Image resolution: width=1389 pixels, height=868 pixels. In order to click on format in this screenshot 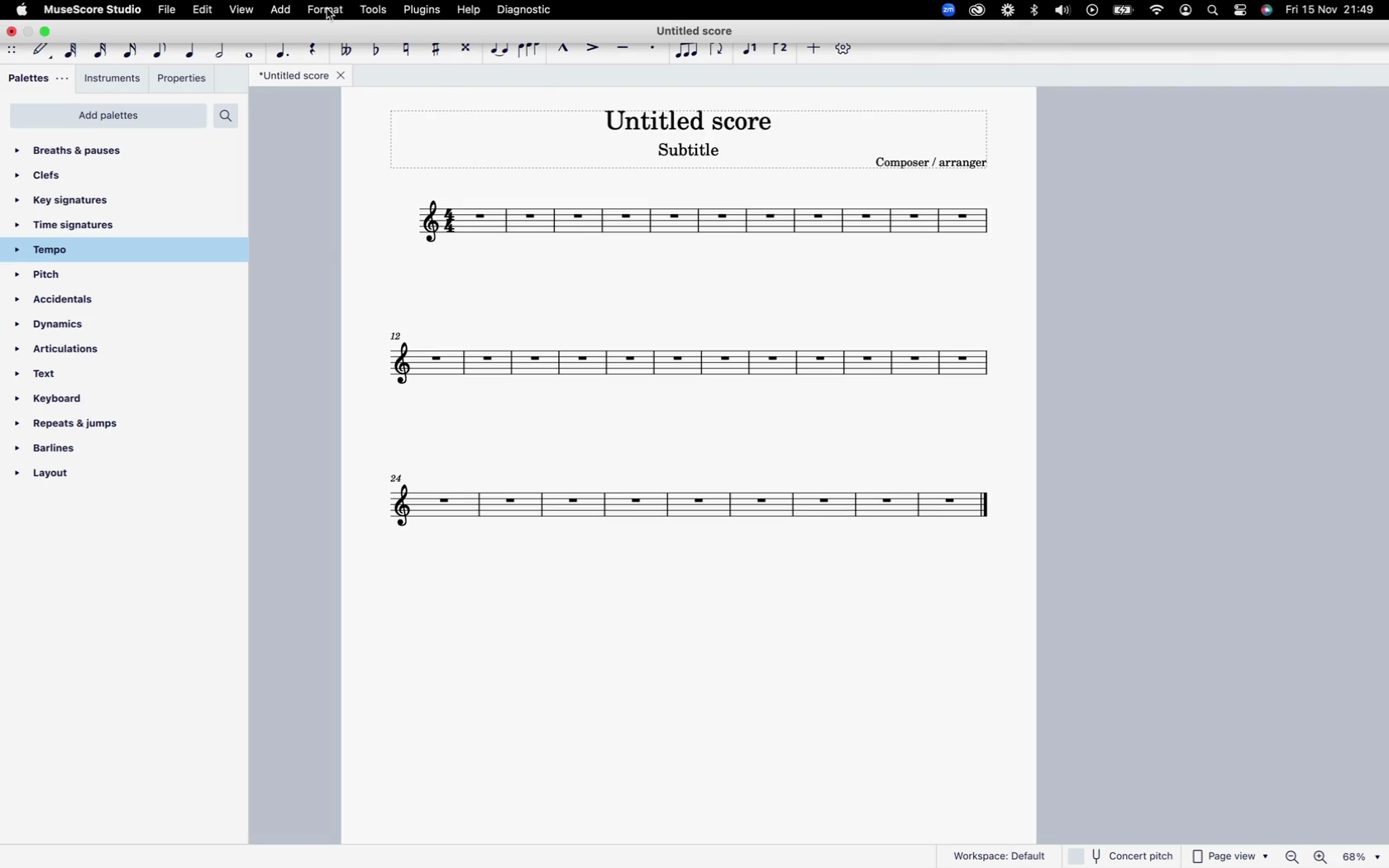, I will do `click(327, 12)`.